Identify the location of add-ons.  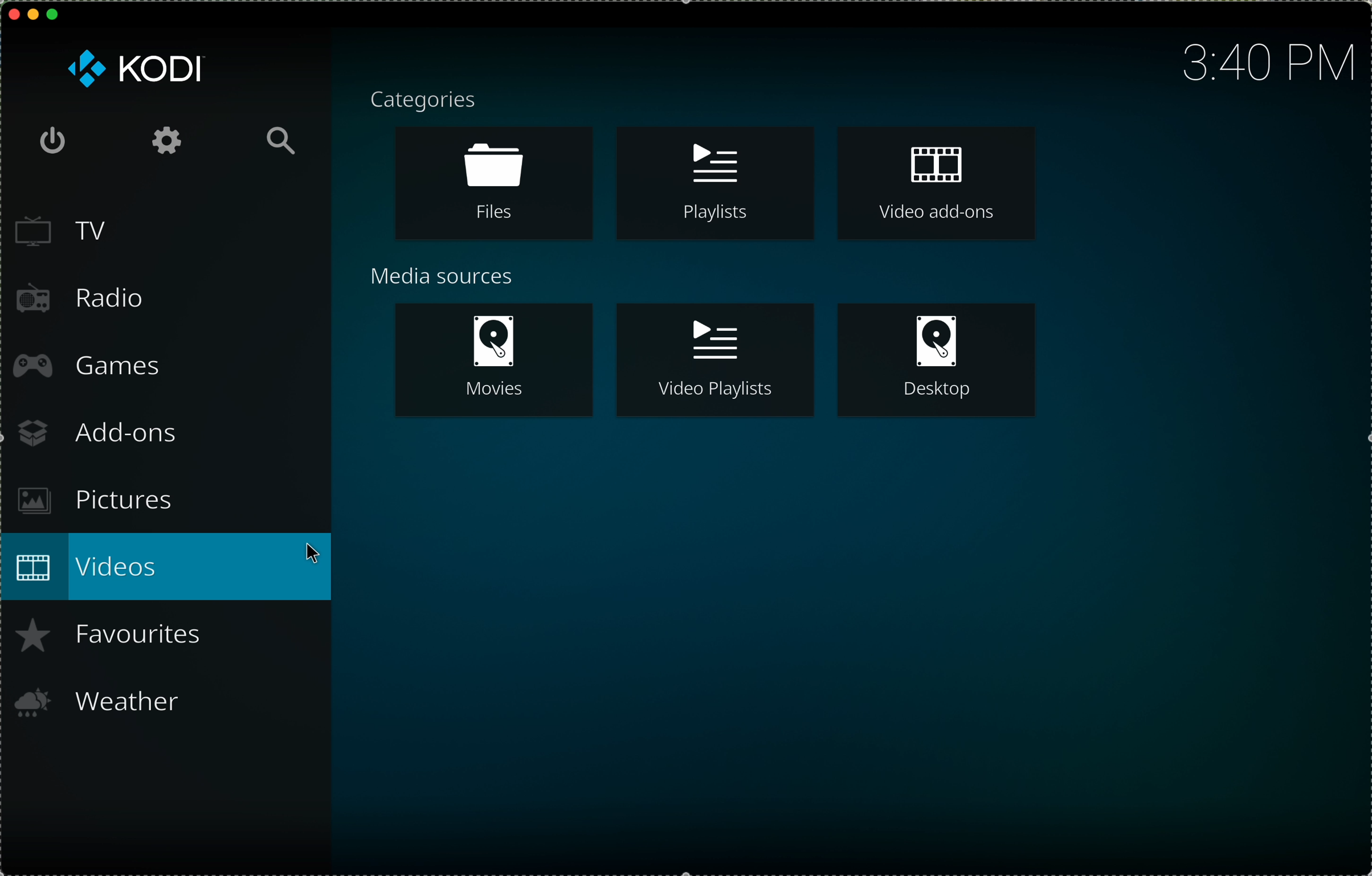
(97, 432).